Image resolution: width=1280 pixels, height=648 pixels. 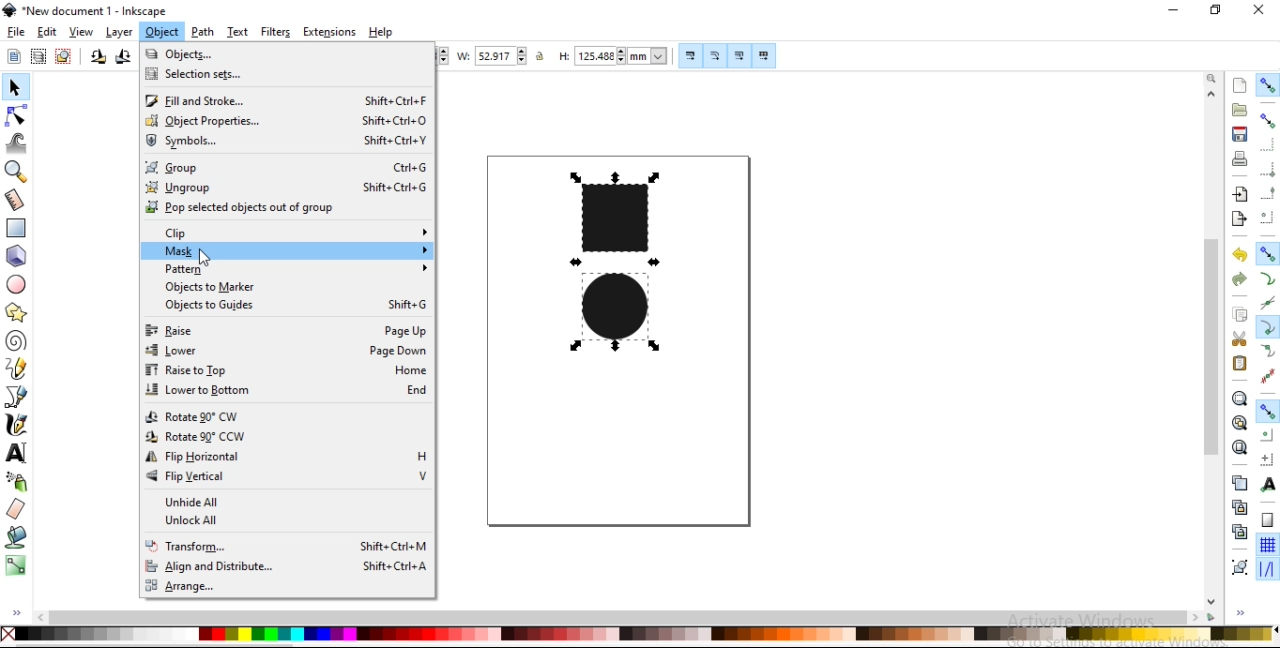 What do you see at coordinates (1266, 569) in the screenshot?
I see `snap guide` at bounding box center [1266, 569].